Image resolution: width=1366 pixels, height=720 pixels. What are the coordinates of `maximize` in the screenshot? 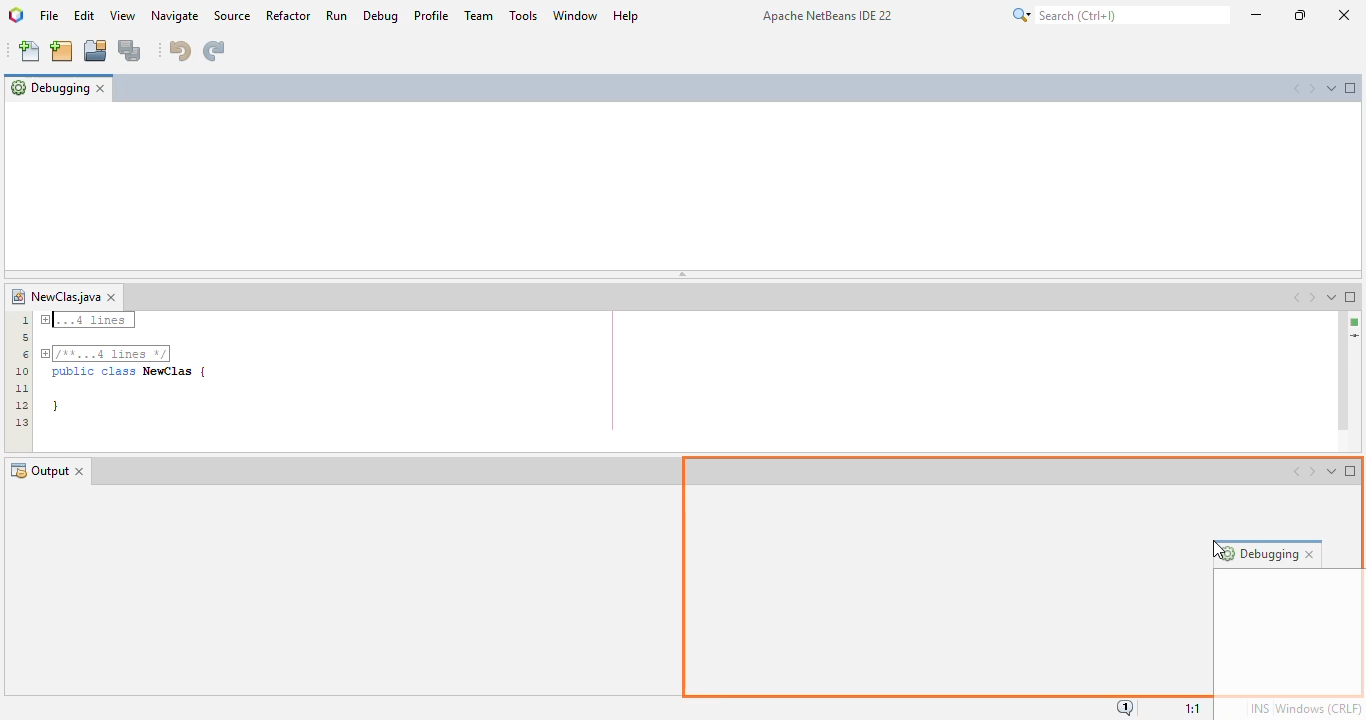 It's located at (1300, 15).